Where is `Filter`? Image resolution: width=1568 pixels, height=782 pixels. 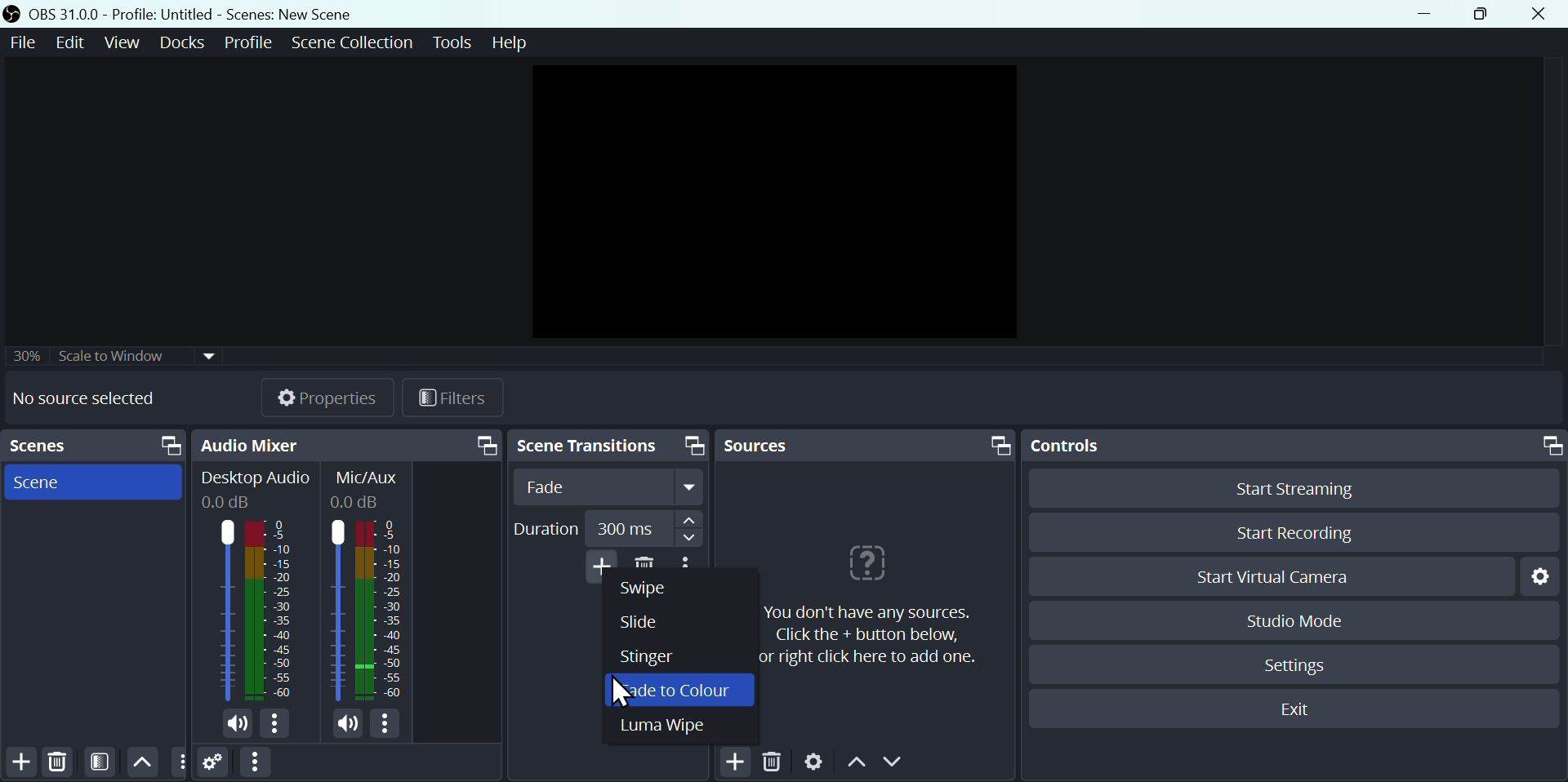
Filter is located at coordinates (103, 762).